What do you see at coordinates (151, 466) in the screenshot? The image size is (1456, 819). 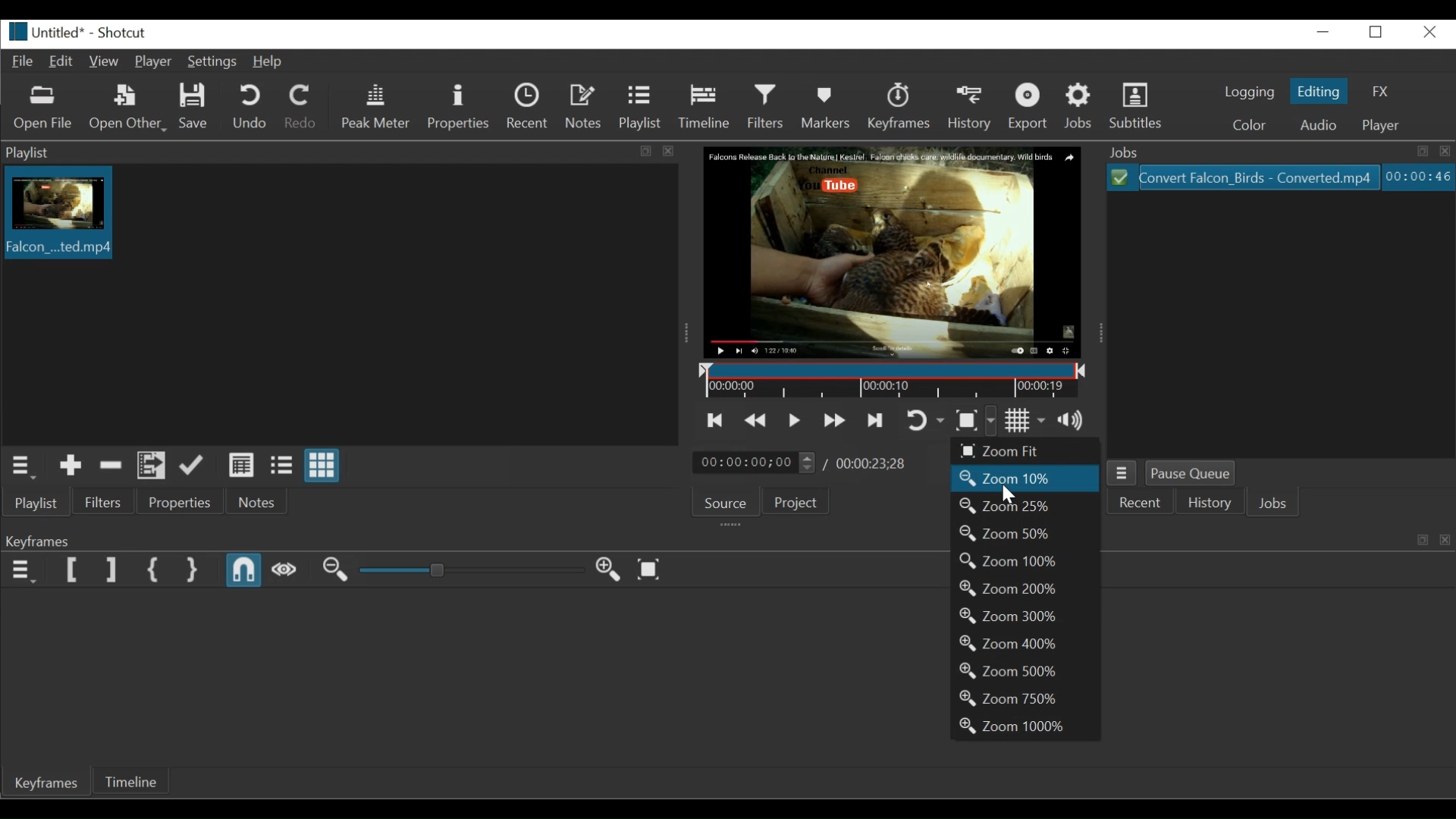 I see `Add files to playlist` at bounding box center [151, 466].